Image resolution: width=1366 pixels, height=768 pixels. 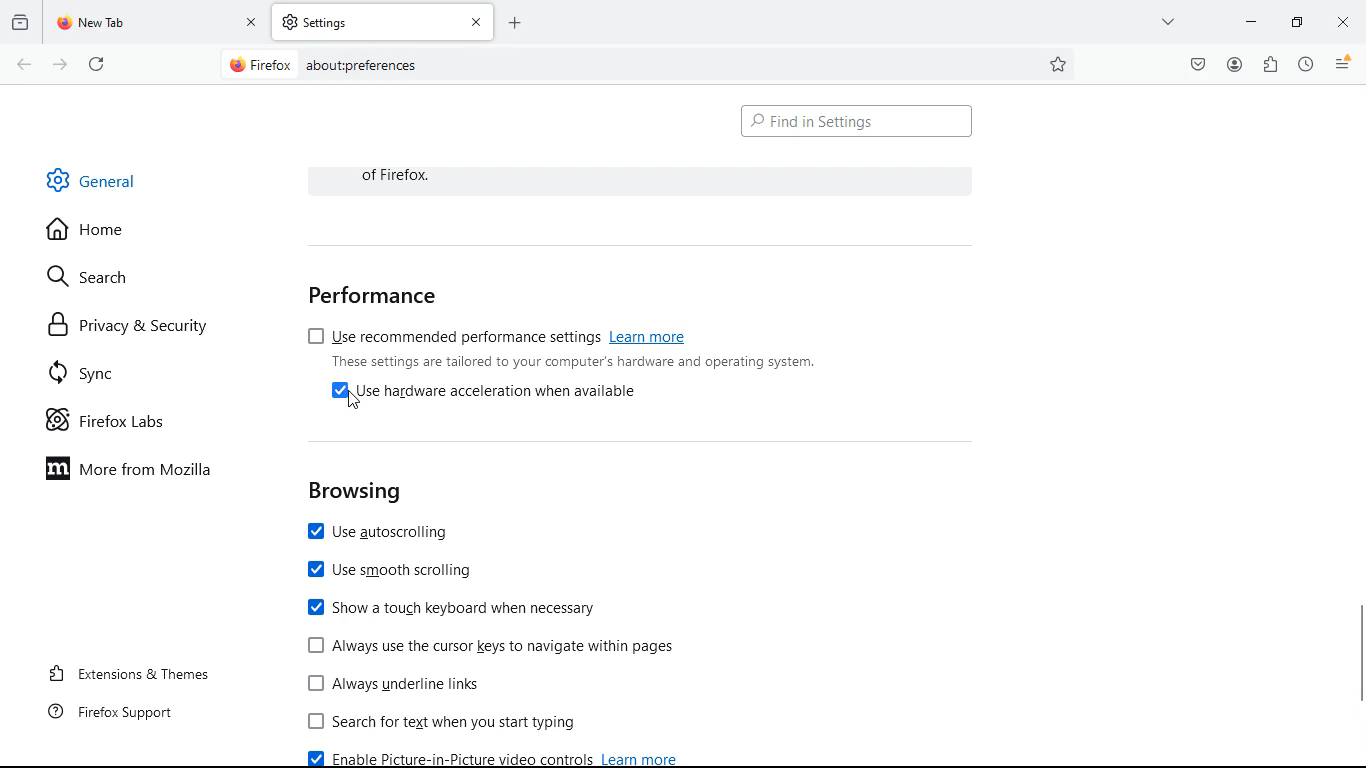 I want to click on profile, so click(x=1234, y=64).